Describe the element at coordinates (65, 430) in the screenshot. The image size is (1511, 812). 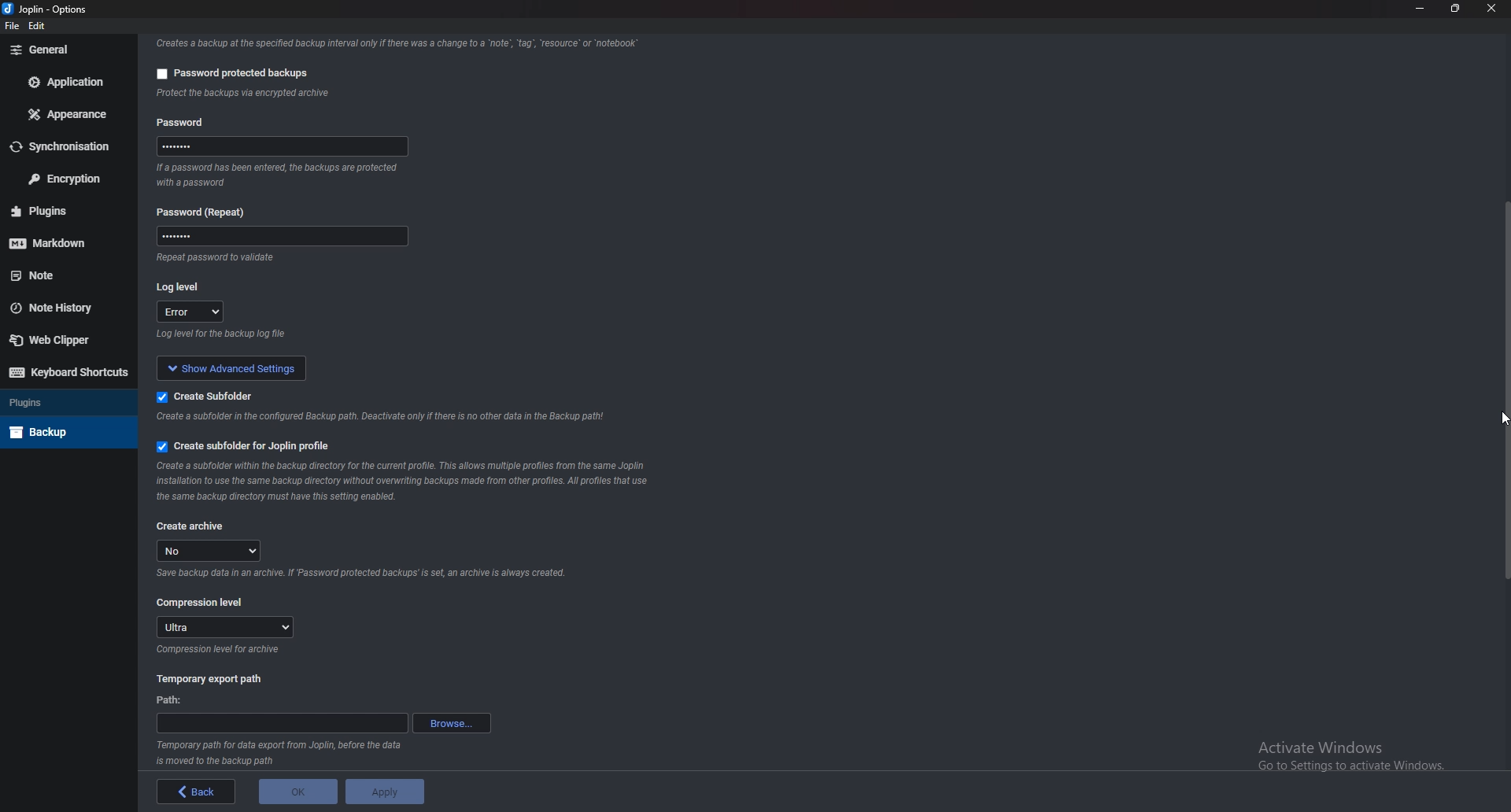
I see `Back up` at that location.